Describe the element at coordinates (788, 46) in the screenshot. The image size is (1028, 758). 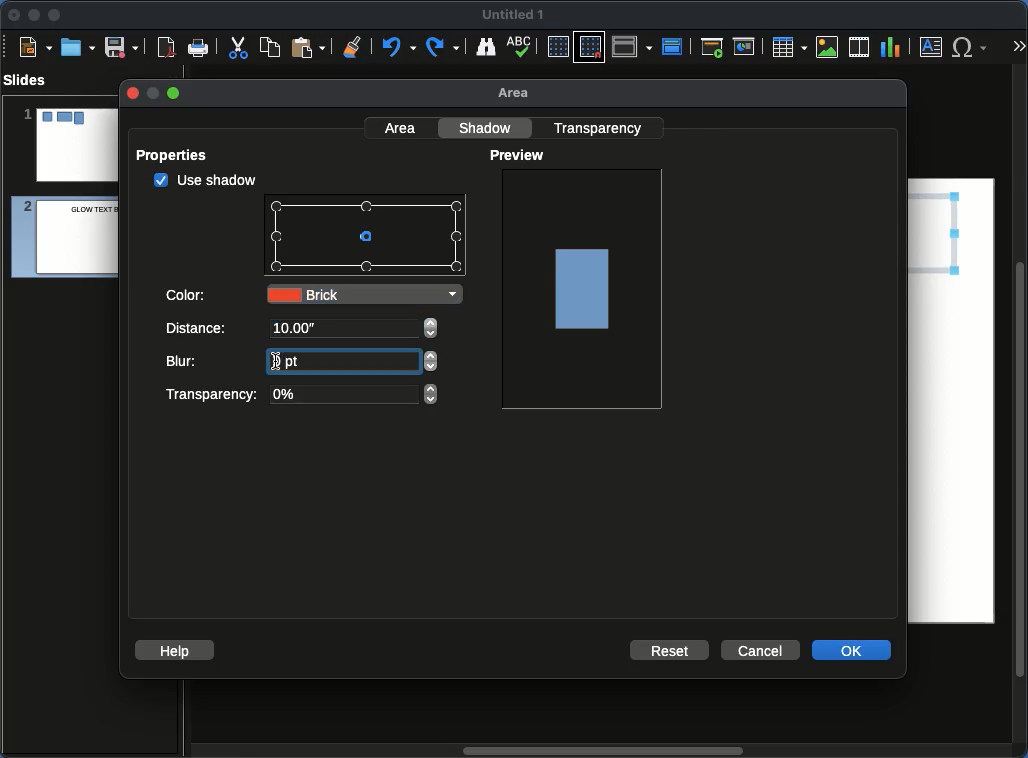
I see `Table` at that location.